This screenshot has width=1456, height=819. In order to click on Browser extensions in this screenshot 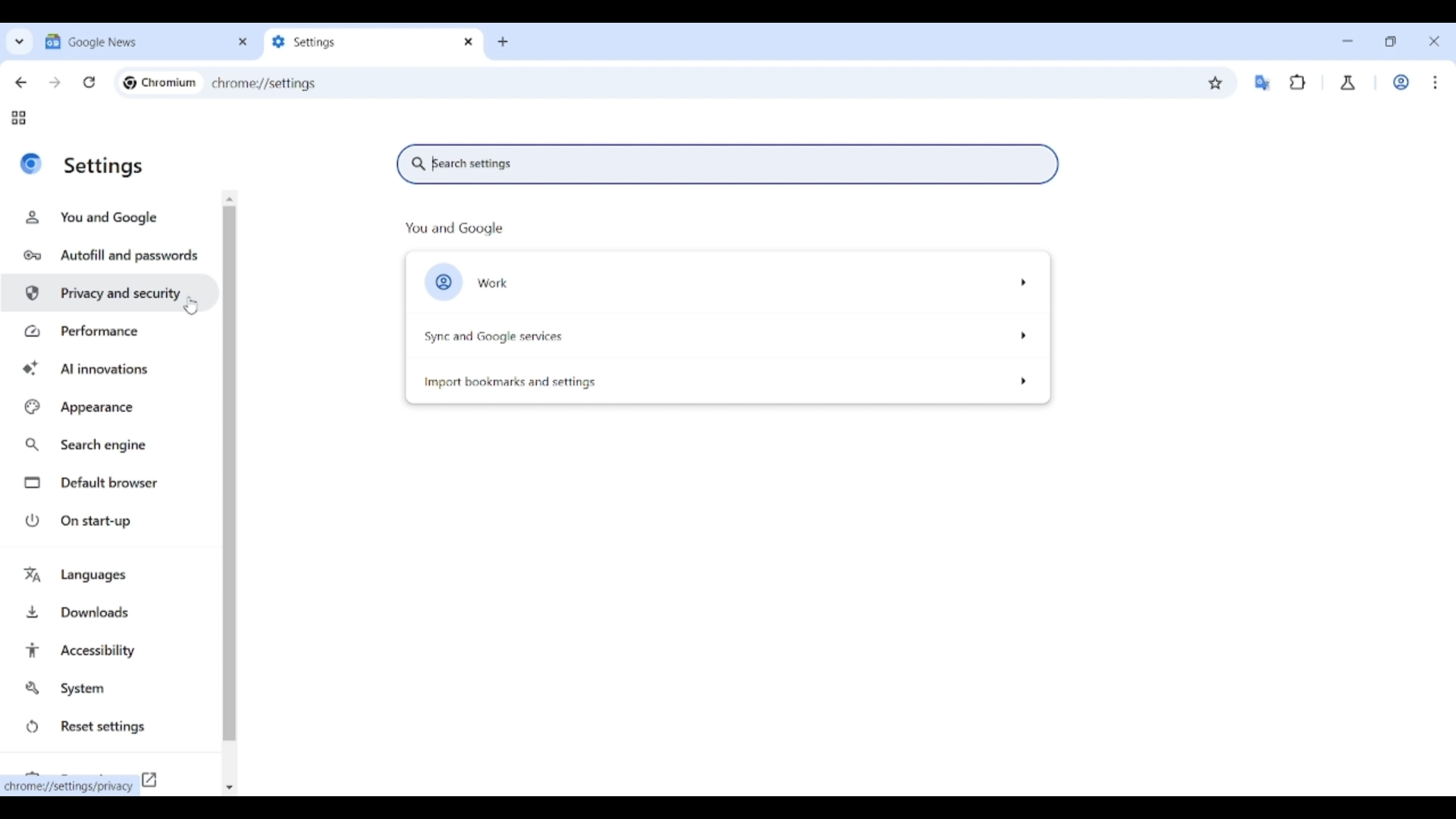, I will do `click(1298, 82)`.